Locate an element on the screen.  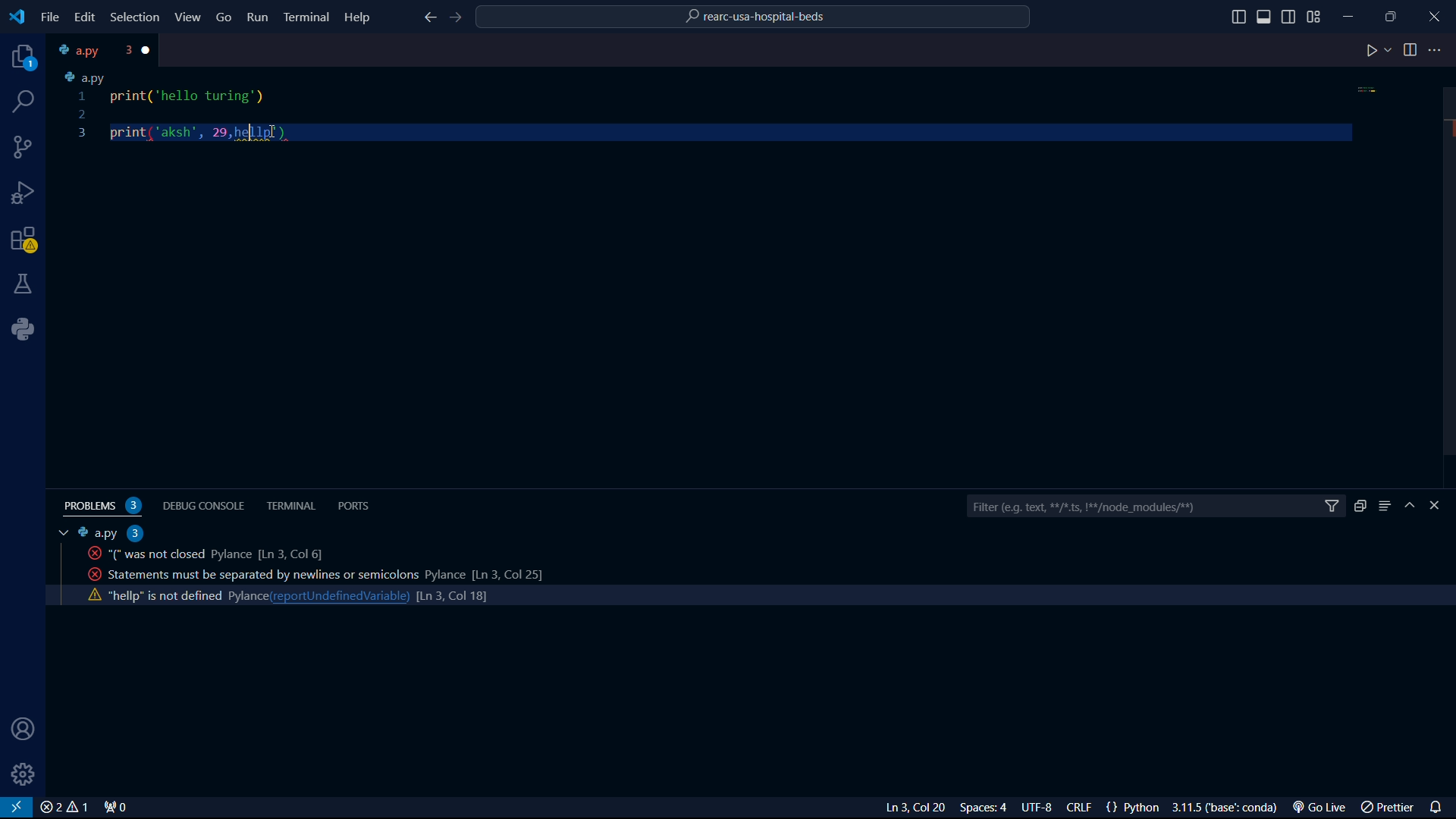
code python is located at coordinates (717, 108).